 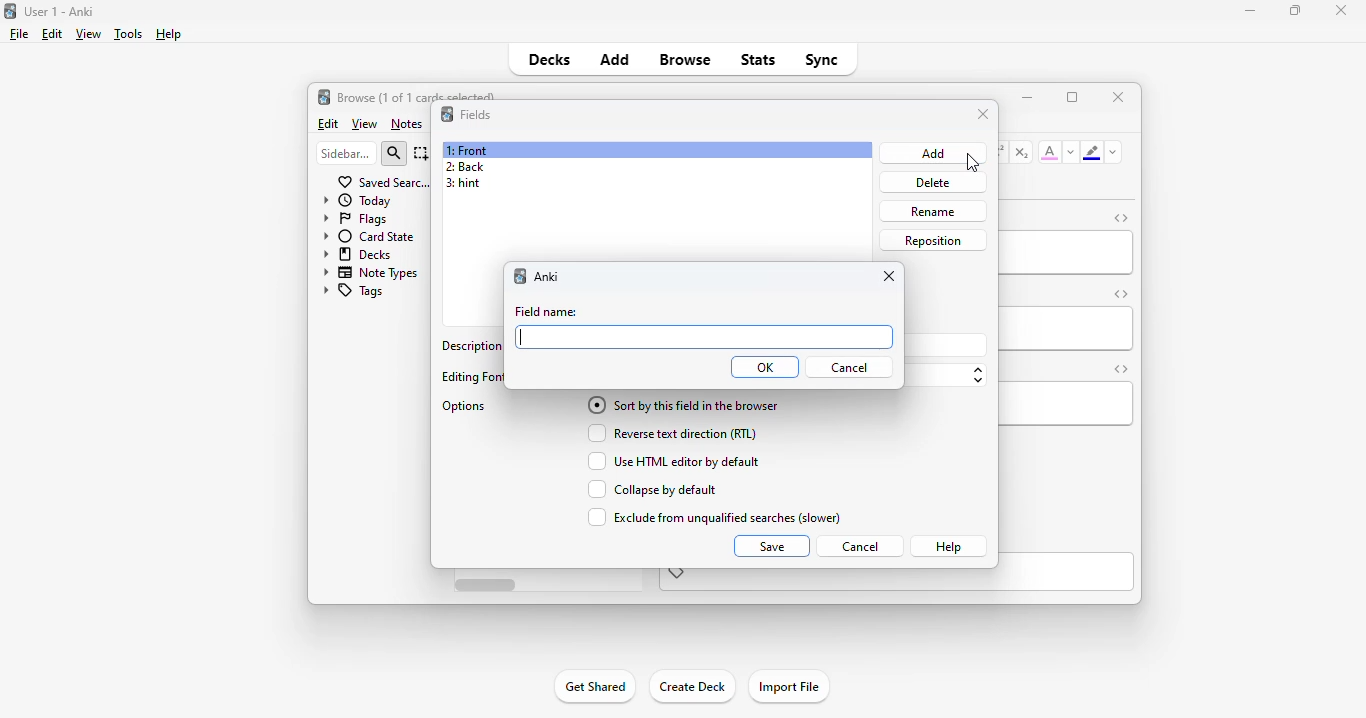 I want to click on logo, so click(x=520, y=276).